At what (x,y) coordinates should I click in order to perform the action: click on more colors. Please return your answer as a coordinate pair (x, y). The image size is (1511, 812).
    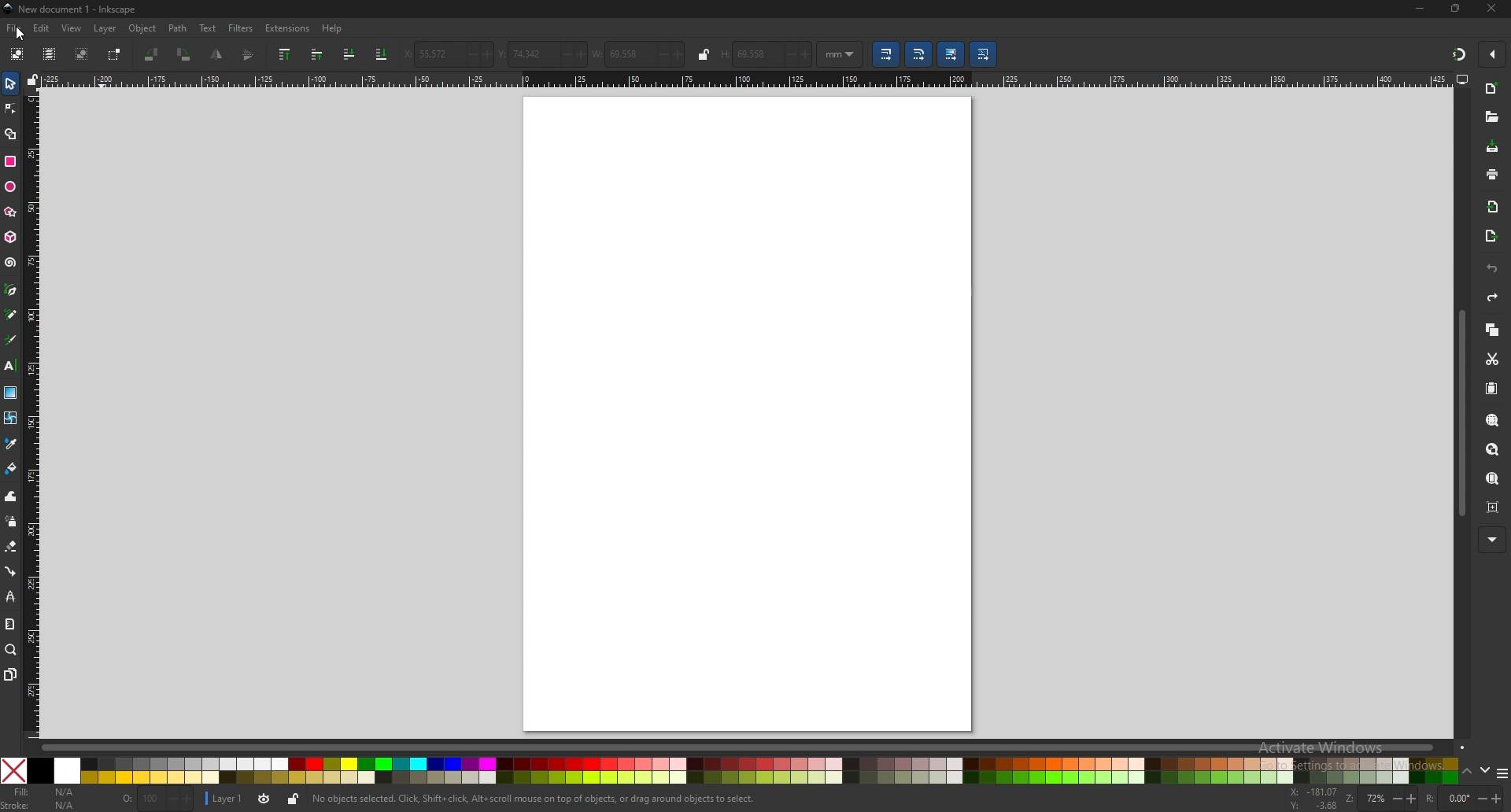
    Looking at the image, I should click on (1502, 771).